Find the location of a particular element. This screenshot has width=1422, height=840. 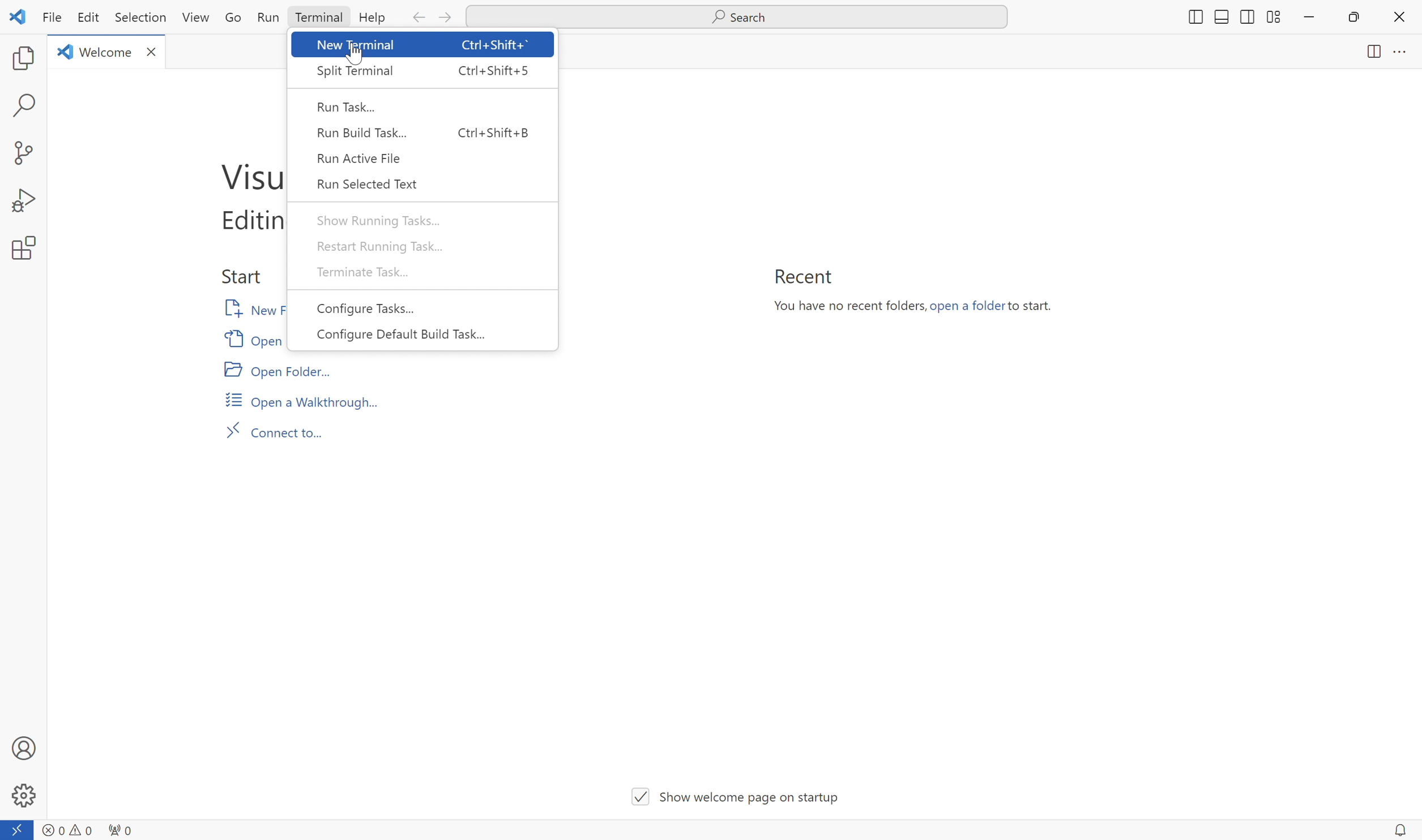

close is located at coordinates (1399, 16).